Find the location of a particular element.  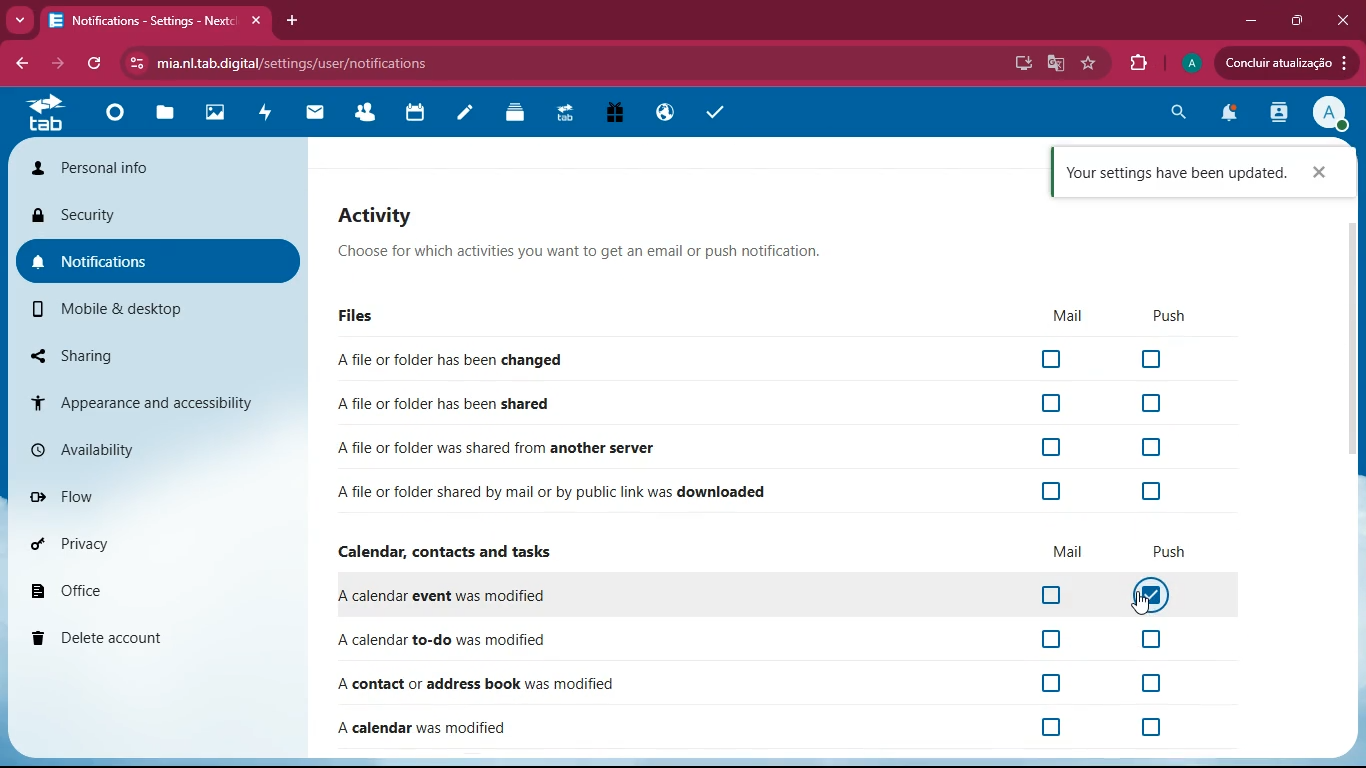

push is located at coordinates (1170, 552).